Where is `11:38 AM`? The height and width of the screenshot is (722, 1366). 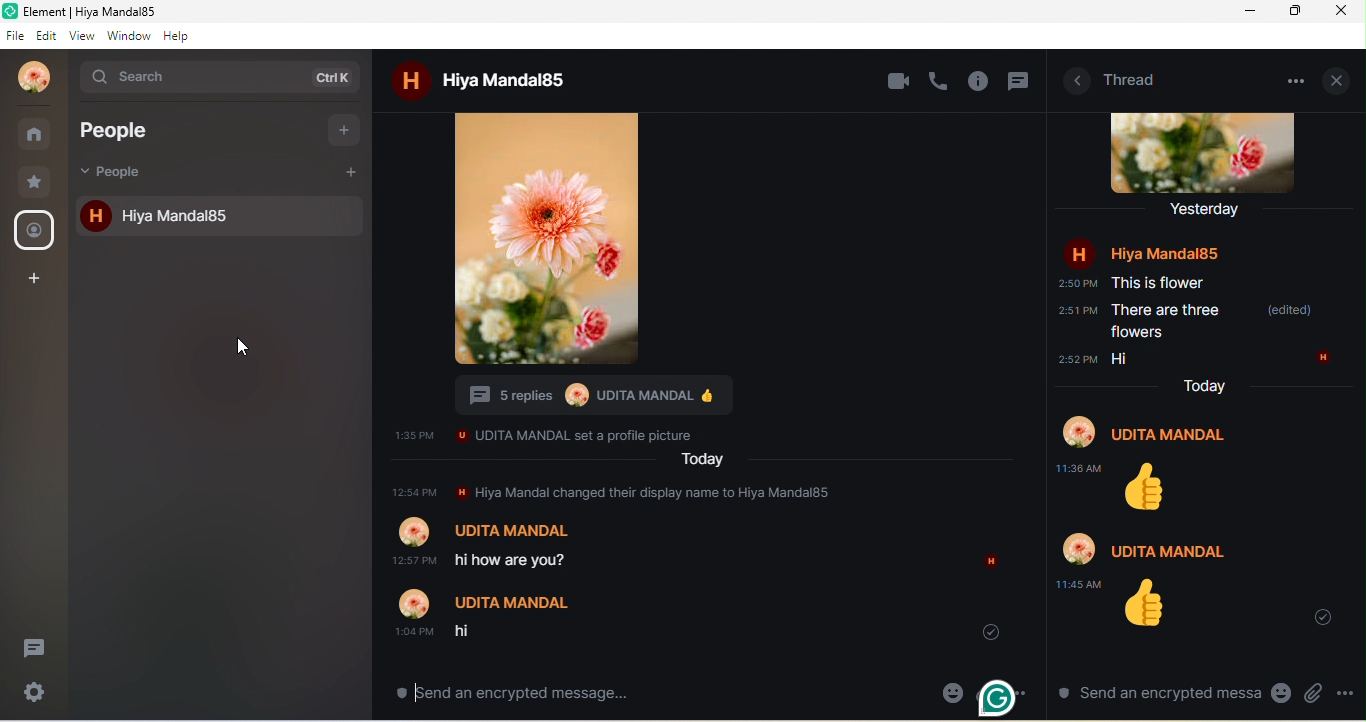
11:38 AM is located at coordinates (1079, 468).